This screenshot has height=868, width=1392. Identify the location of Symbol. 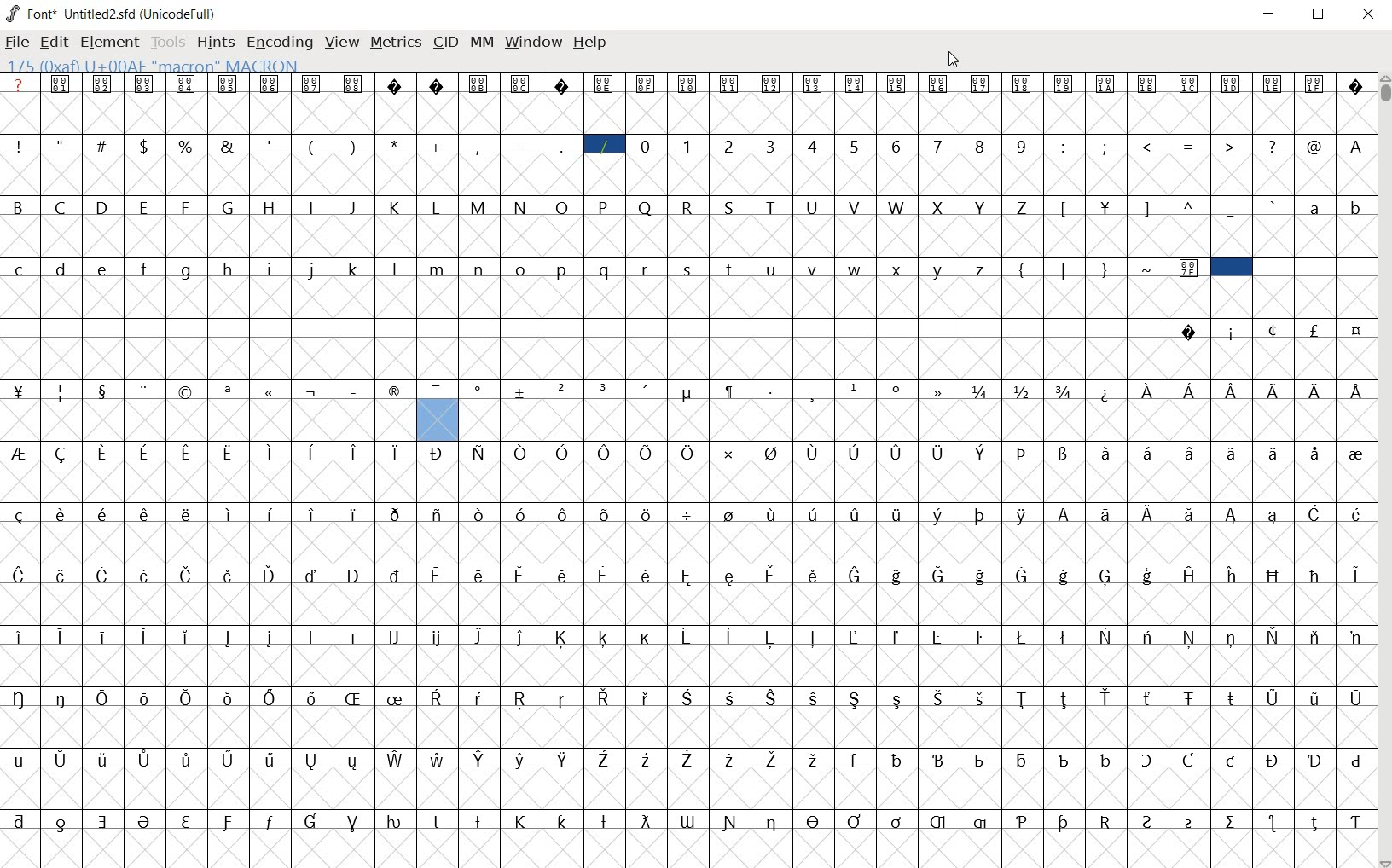
(478, 452).